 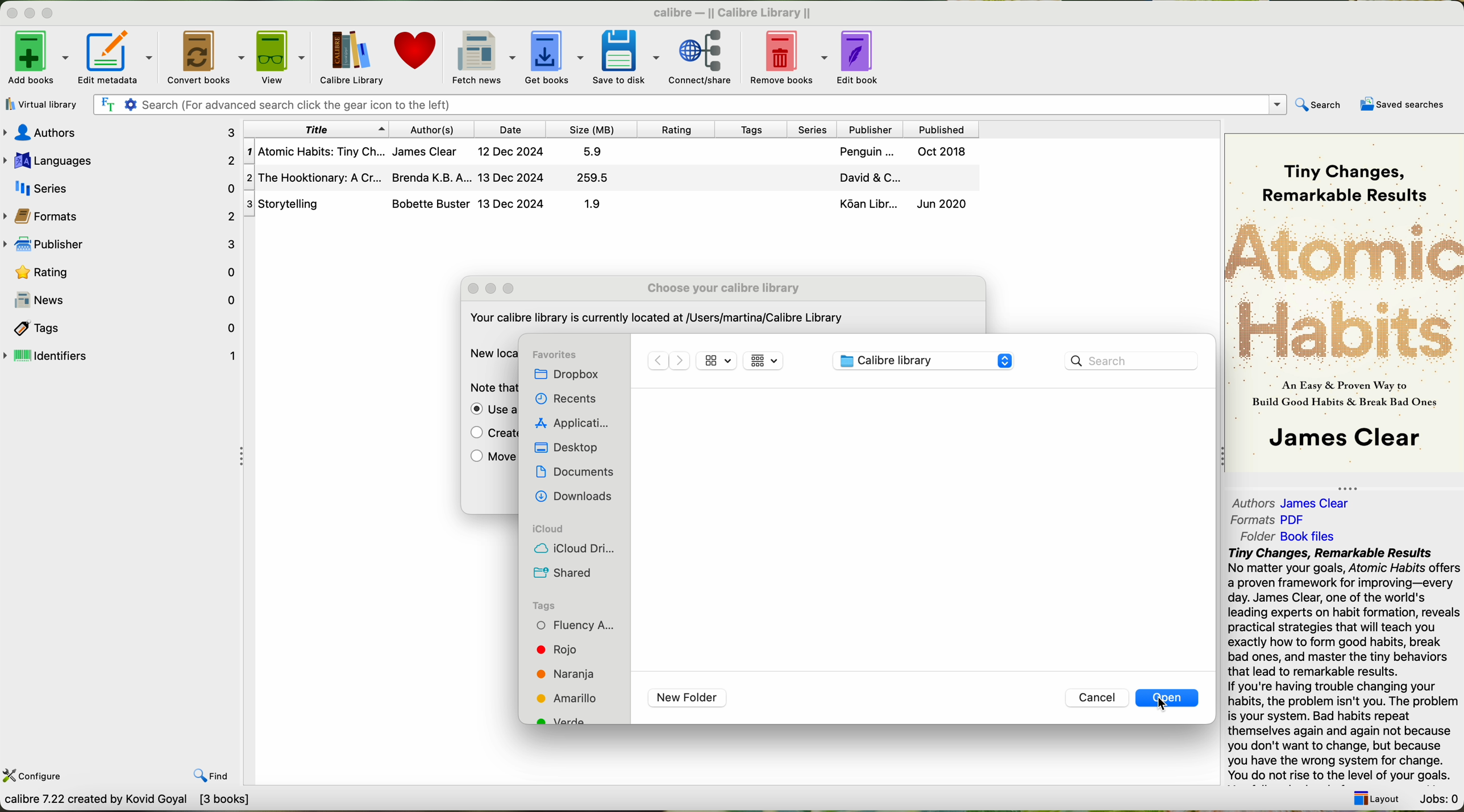 What do you see at coordinates (473, 410) in the screenshot?
I see `check box` at bounding box center [473, 410].